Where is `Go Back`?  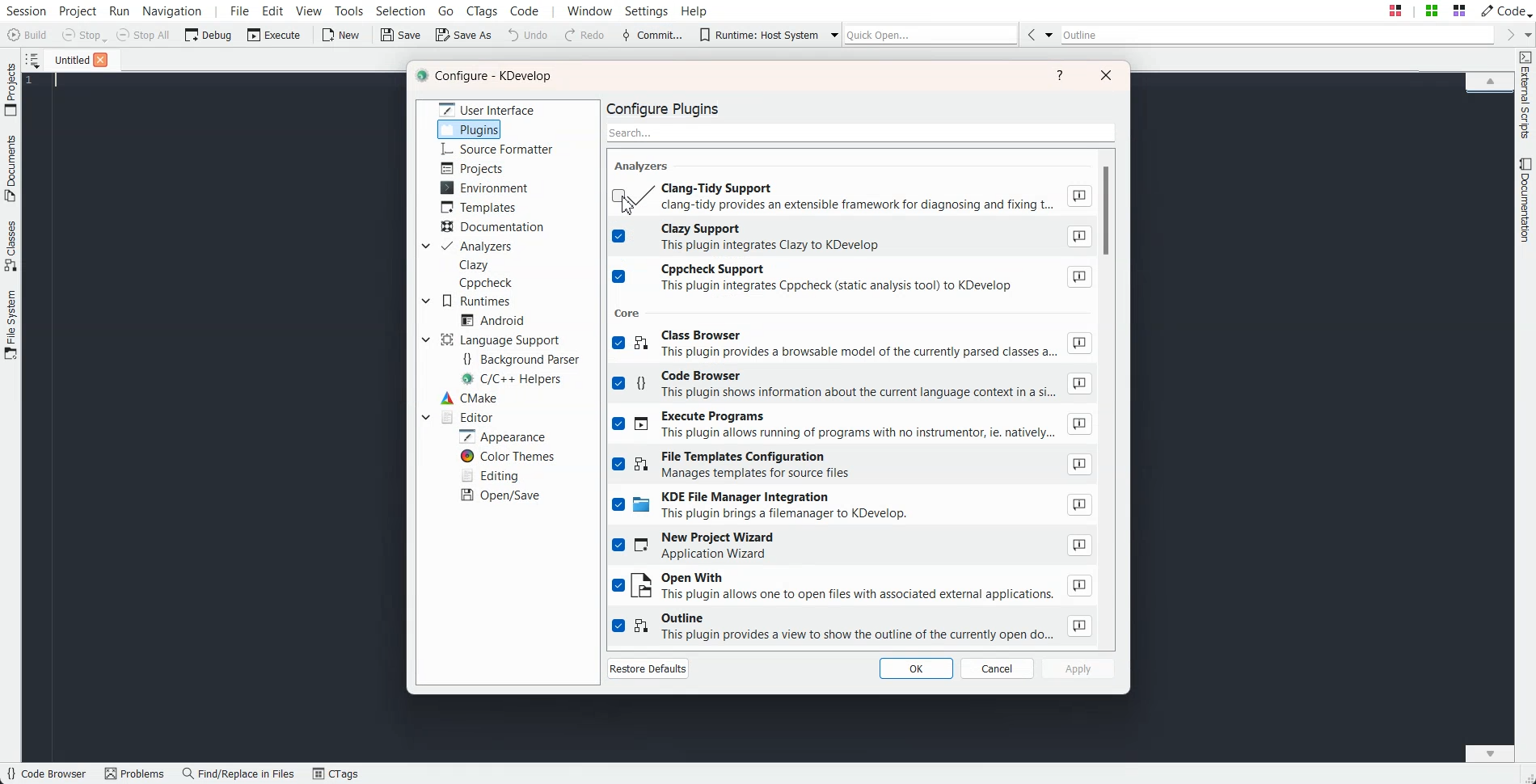 Go Back is located at coordinates (1031, 34).